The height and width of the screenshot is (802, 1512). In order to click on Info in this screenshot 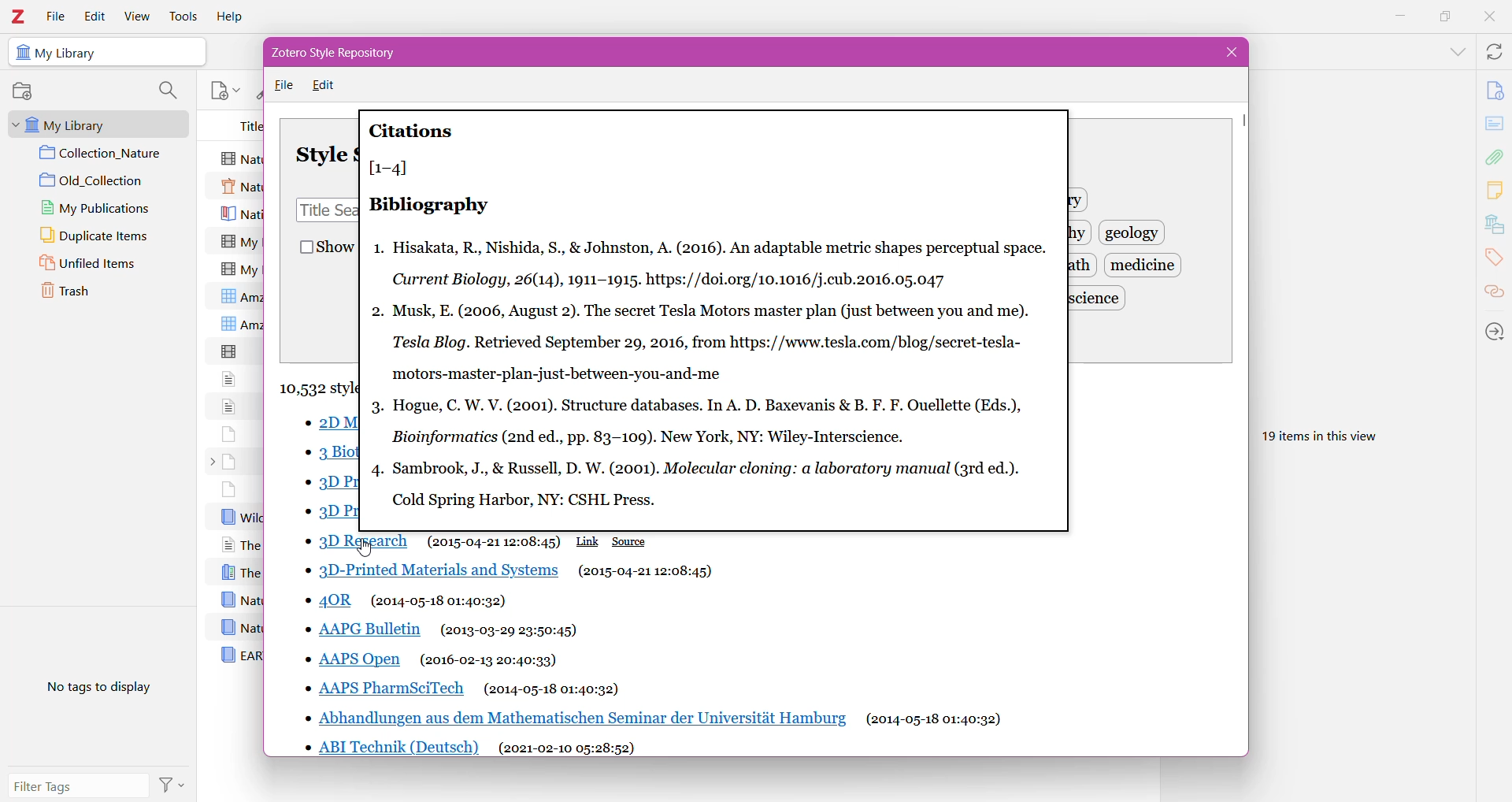, I will do `click(1495, 90)`.